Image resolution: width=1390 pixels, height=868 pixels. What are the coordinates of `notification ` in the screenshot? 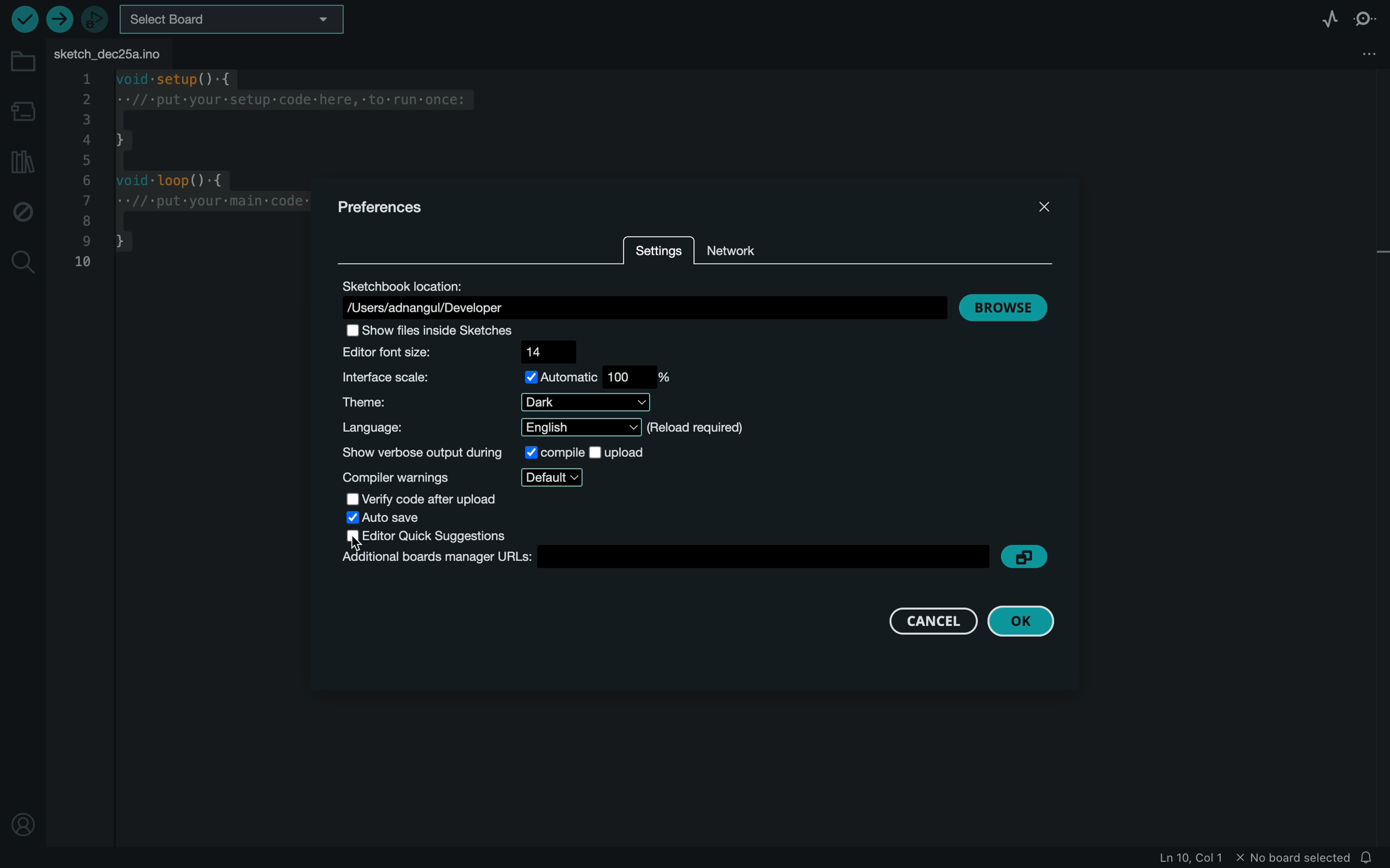 It's located at (1373, 857).